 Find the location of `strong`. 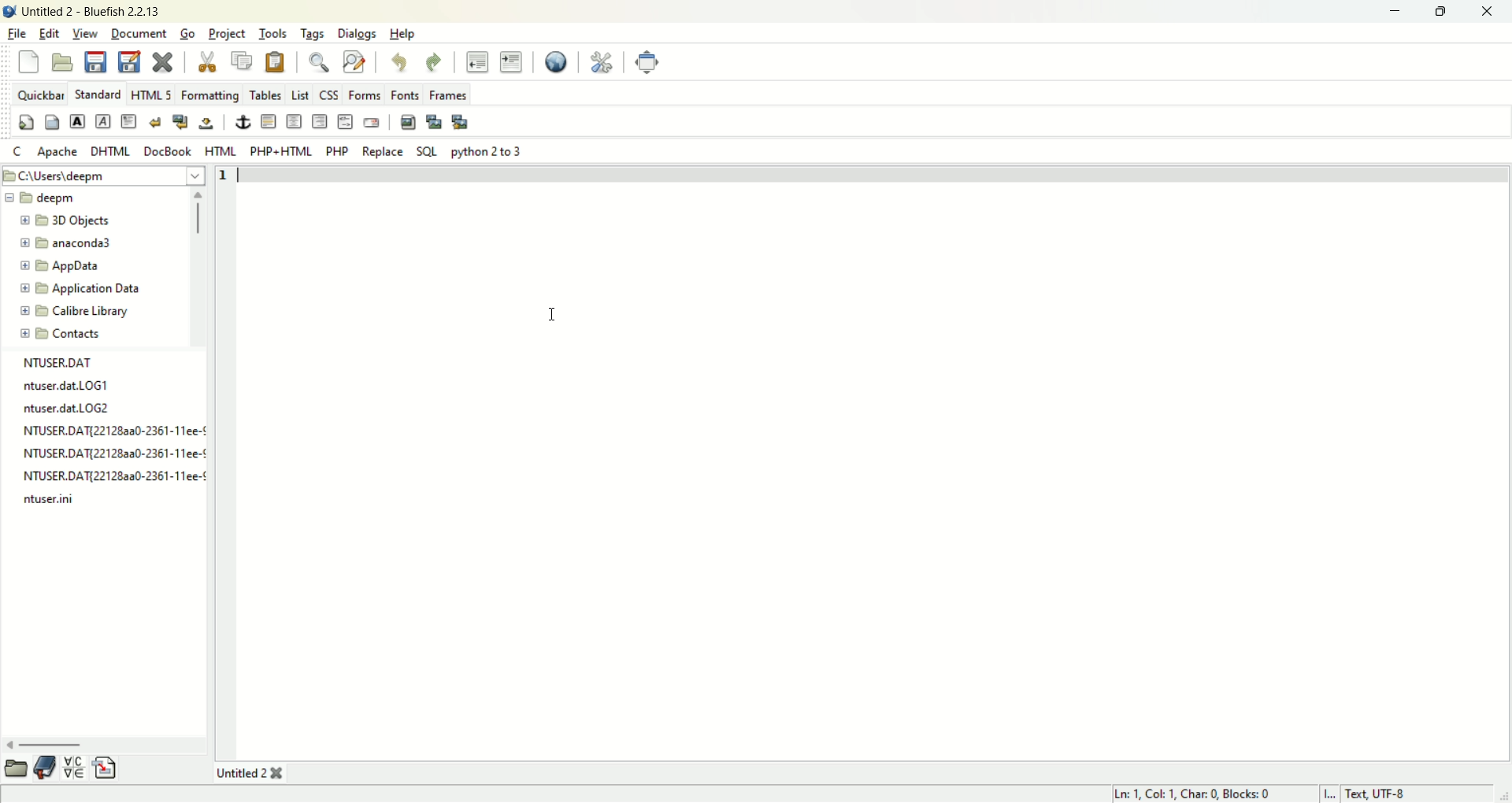

strong is located at coordinates (77, 122).